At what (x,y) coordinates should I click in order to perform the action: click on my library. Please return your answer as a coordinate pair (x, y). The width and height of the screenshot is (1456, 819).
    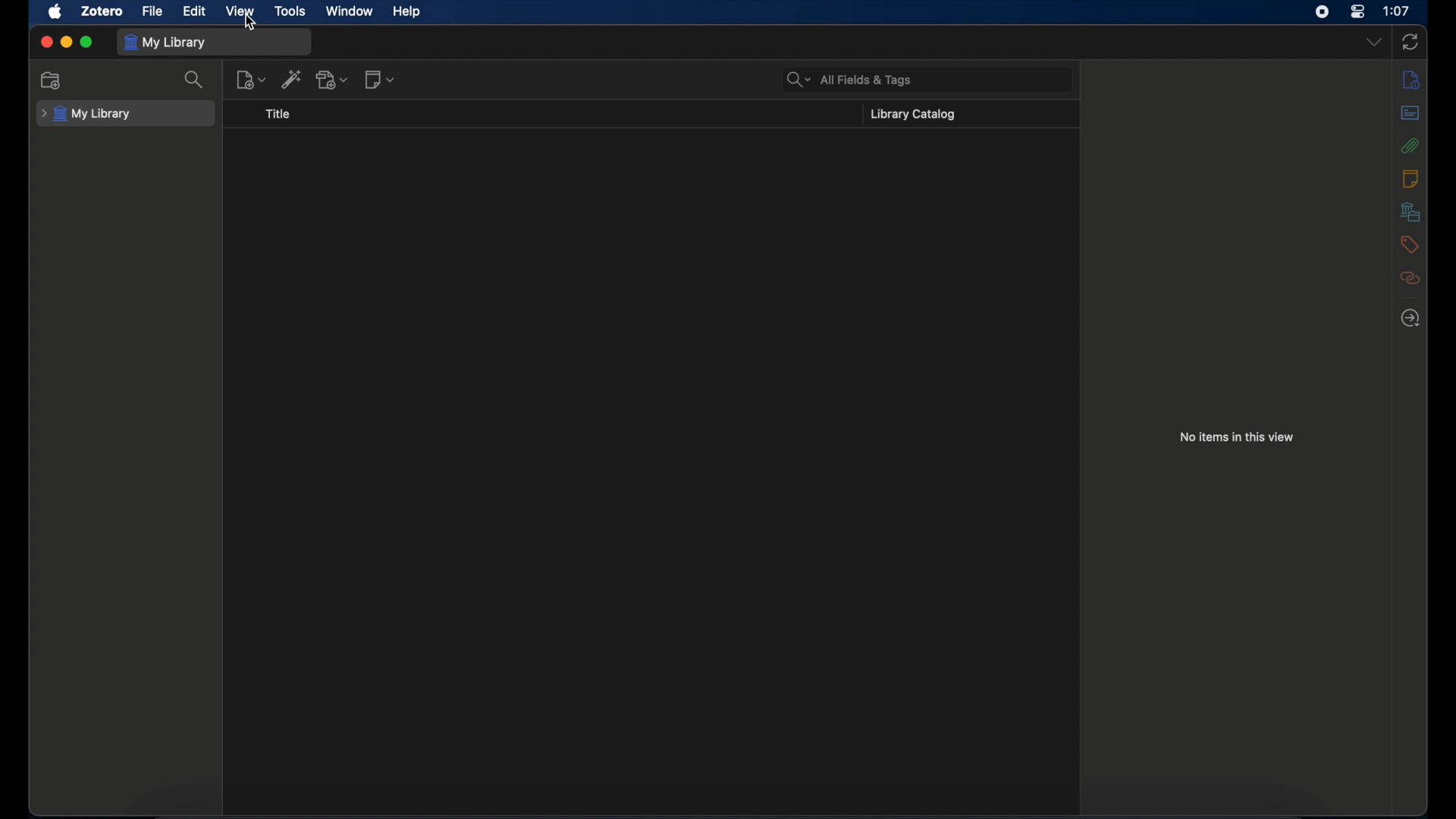
    Looking at the image, I should click on (86, 115).